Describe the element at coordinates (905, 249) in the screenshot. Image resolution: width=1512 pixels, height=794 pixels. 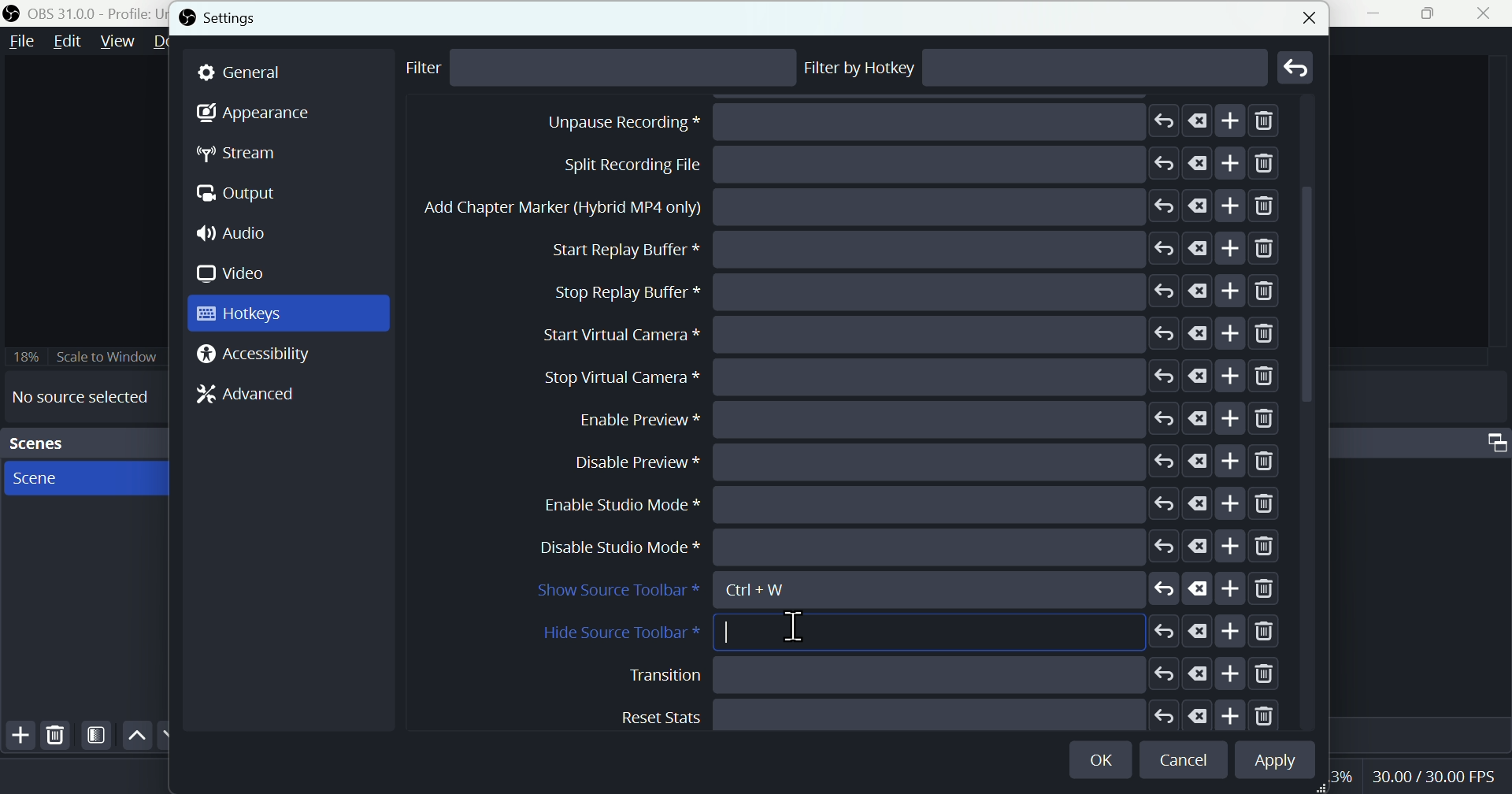
I see `Pause recording` at that location.